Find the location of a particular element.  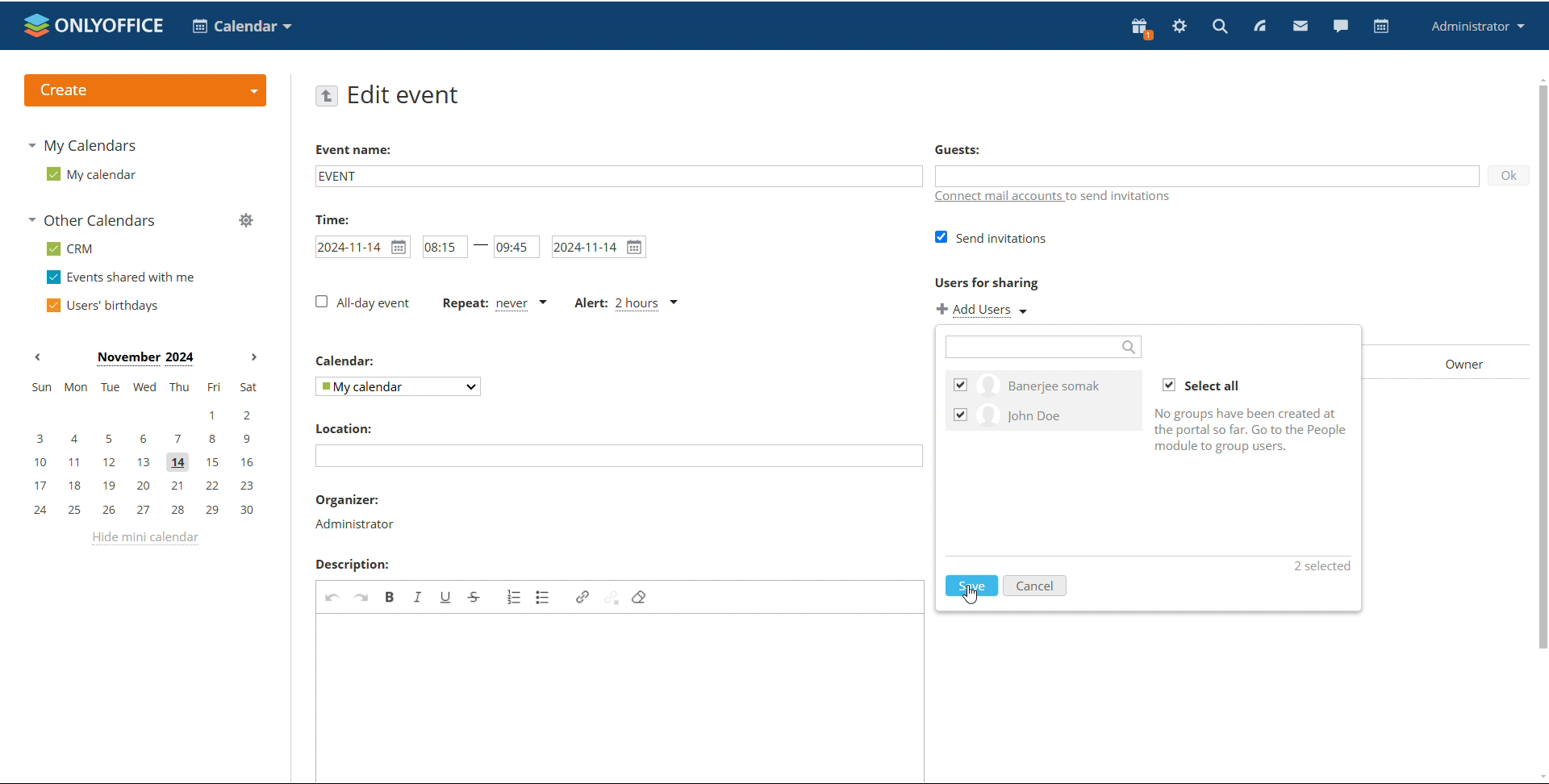

underline is located at coordinates (449, 597).